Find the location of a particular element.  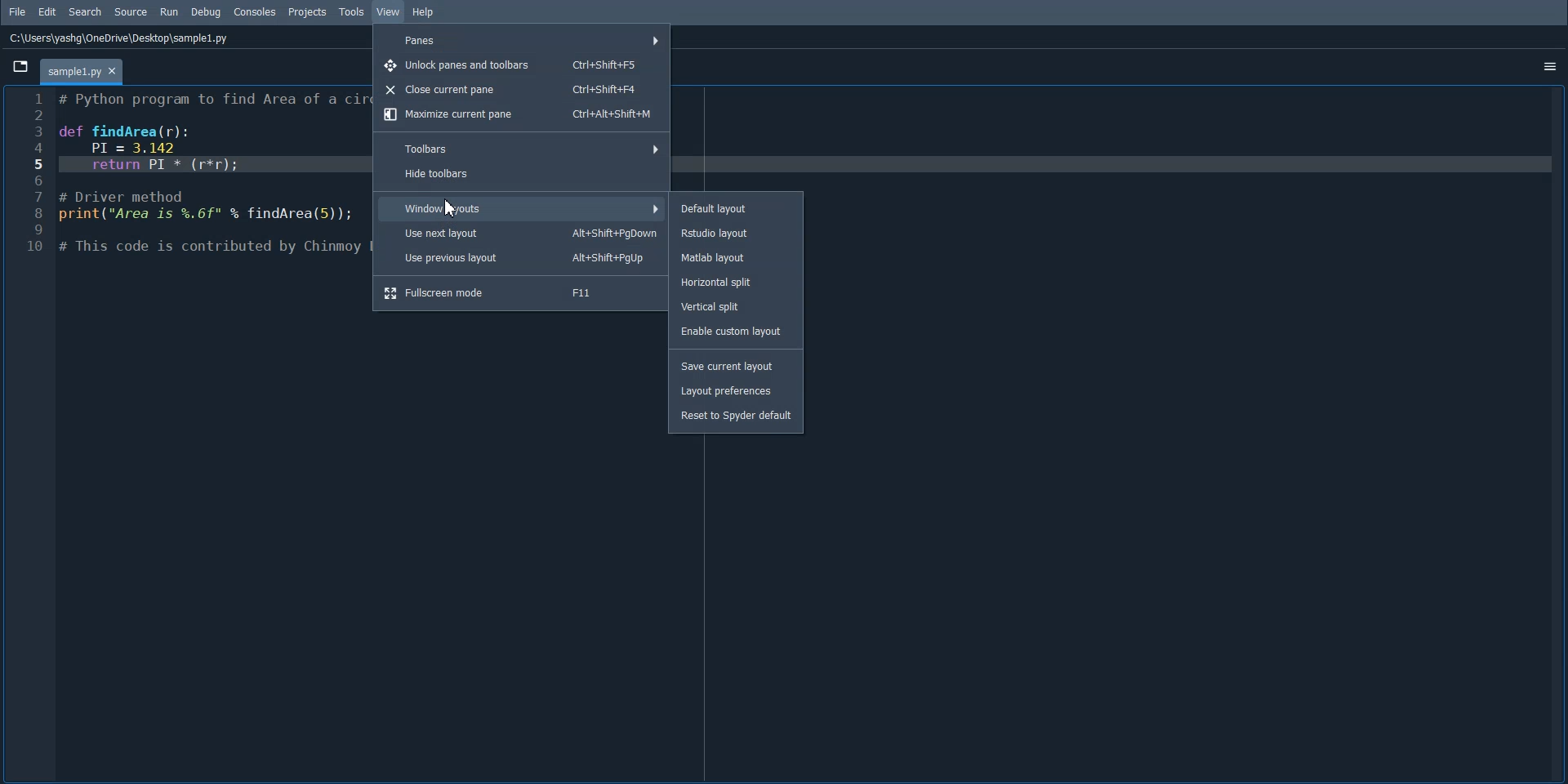

Tools is located at coordinates (353, 12).